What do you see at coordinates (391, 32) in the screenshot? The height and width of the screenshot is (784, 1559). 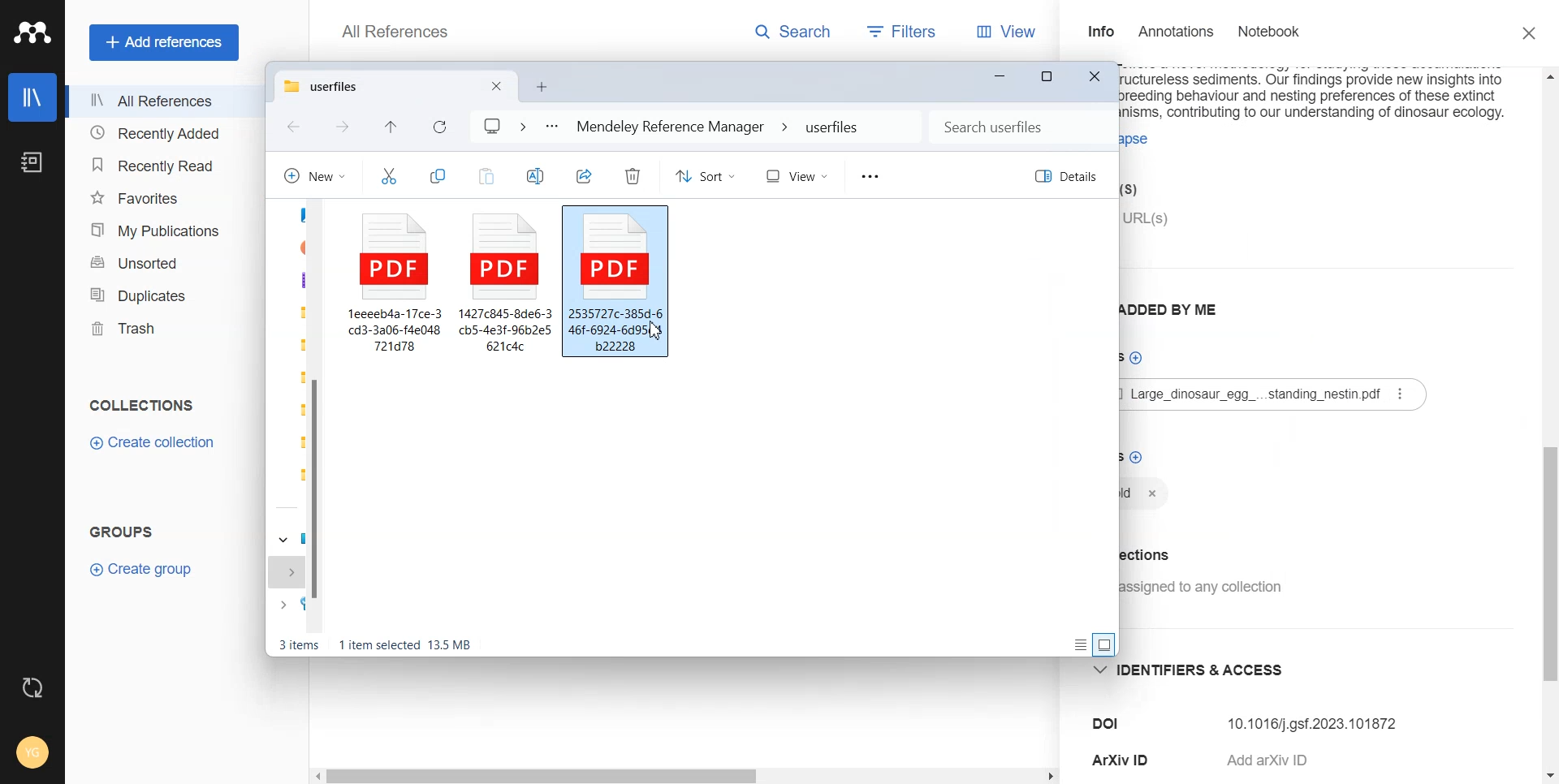 I see `All Reference` at bounding box center [391, 32].